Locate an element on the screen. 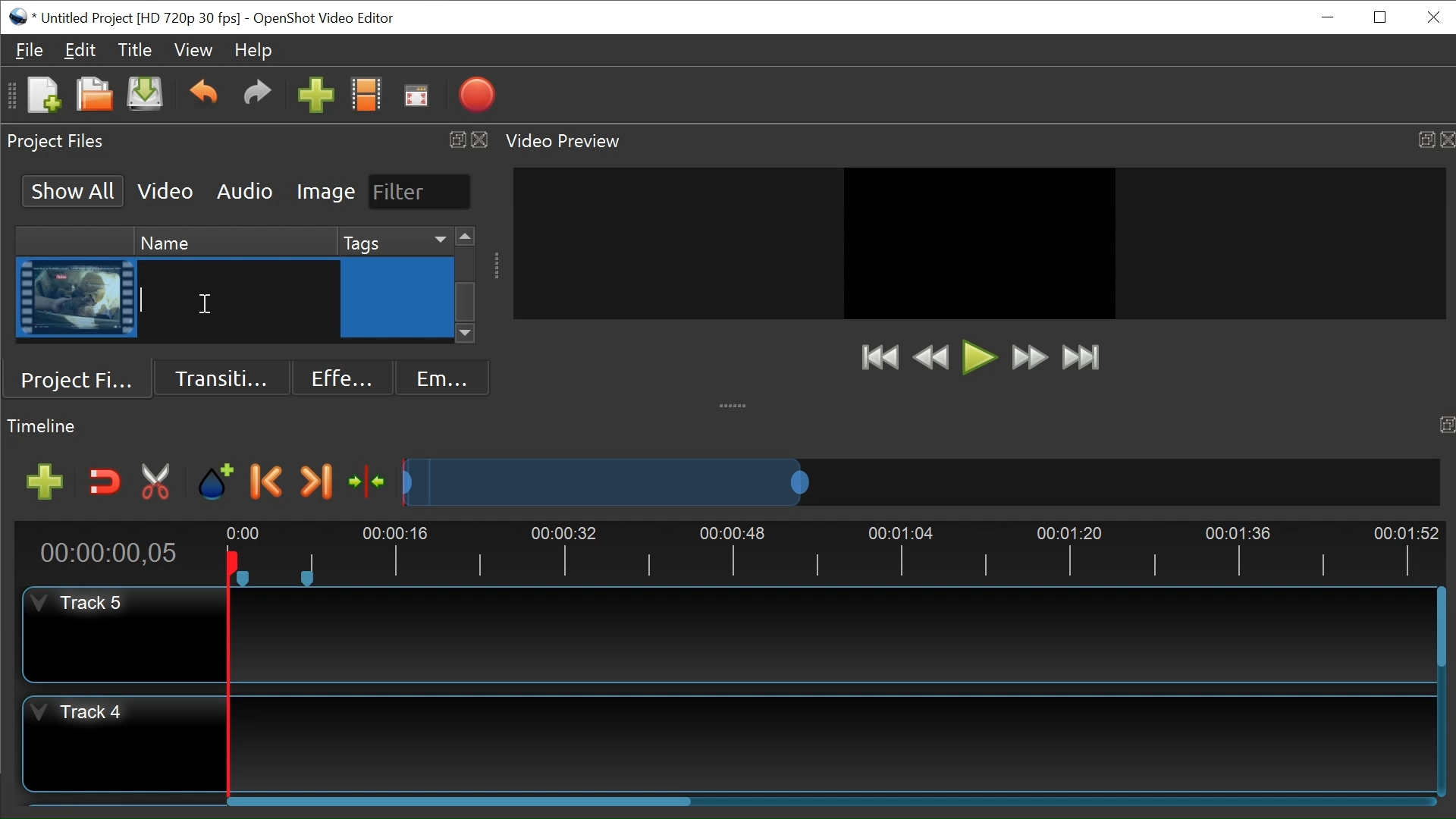 This screenshot has height=819, width=1456. Timeline is located at coordinates (836, 551).